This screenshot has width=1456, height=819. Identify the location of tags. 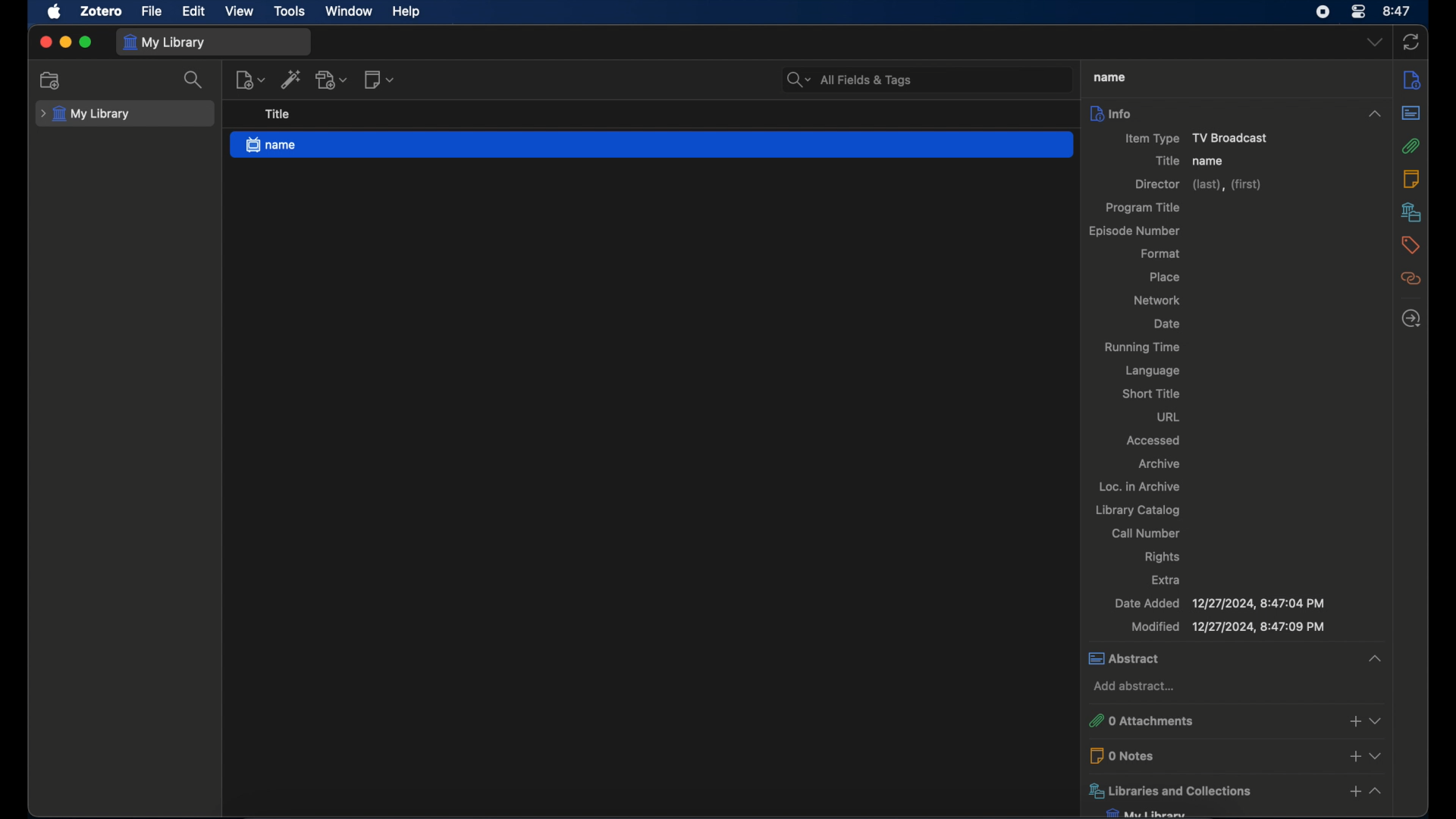
(1411, 245).